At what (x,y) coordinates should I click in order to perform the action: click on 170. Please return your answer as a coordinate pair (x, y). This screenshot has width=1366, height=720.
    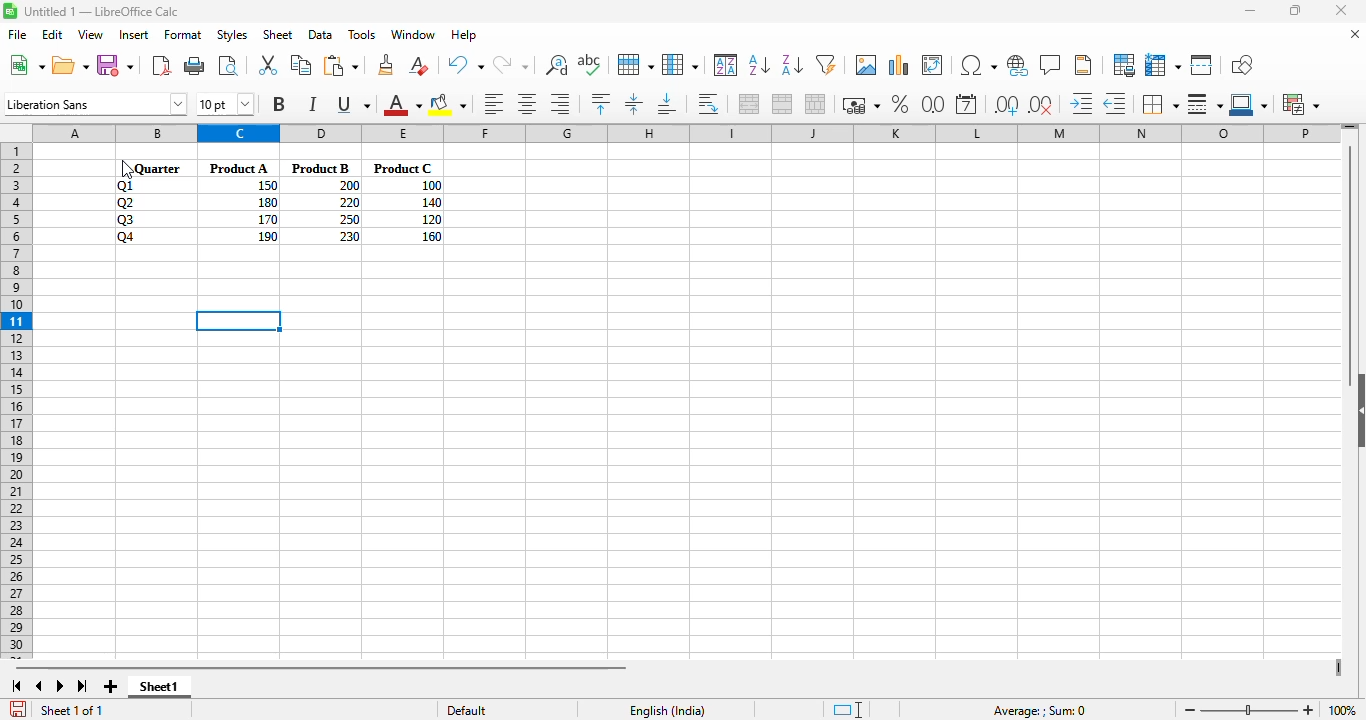
    Looking at the image, I should click on (267, 220).